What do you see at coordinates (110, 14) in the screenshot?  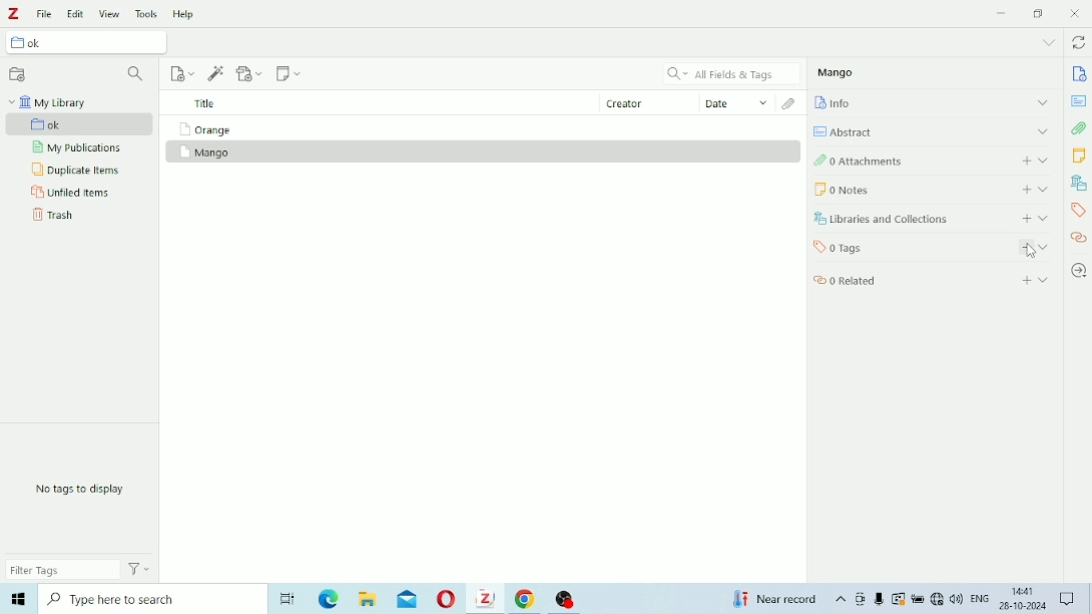 I see `View` at bounding box center [110, 14].